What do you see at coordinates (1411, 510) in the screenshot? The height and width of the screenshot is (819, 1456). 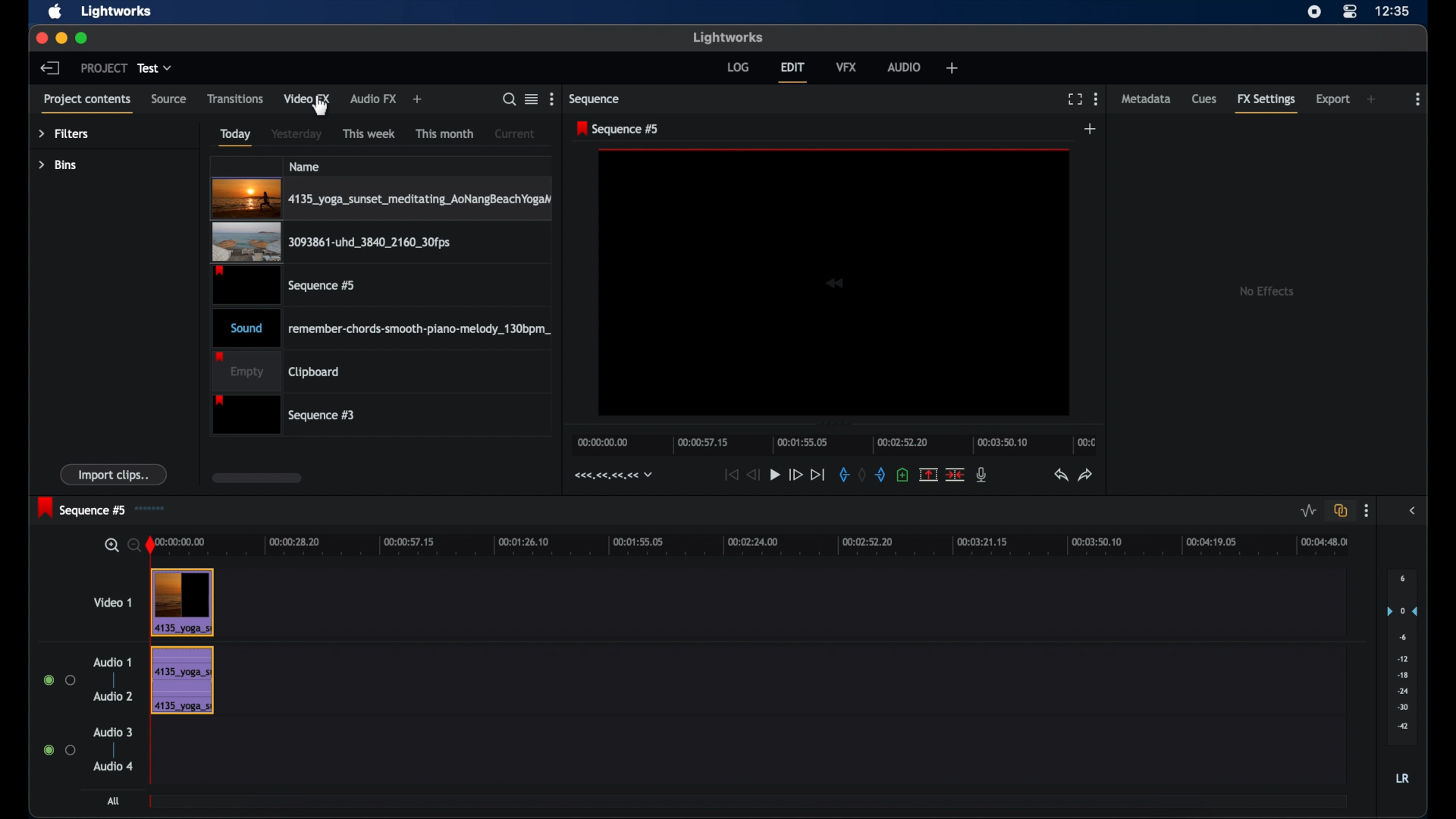 I see `sidebar` at bounding box center [1411, 510].